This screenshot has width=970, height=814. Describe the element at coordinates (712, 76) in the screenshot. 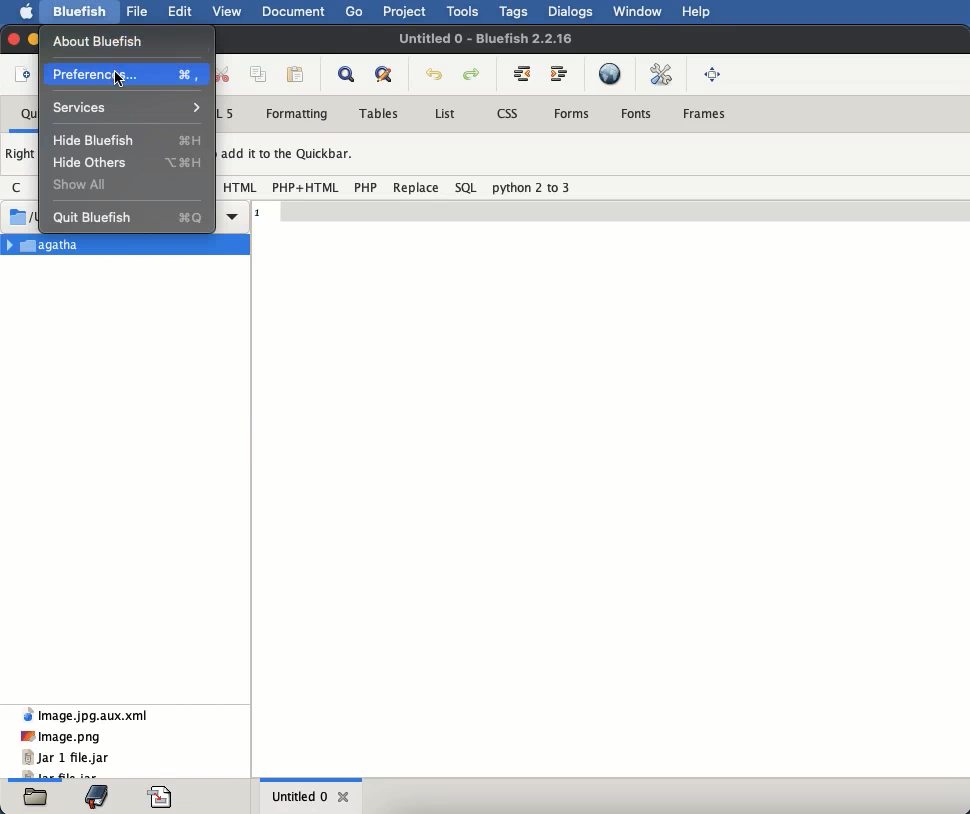

I see `full screen` at that location.